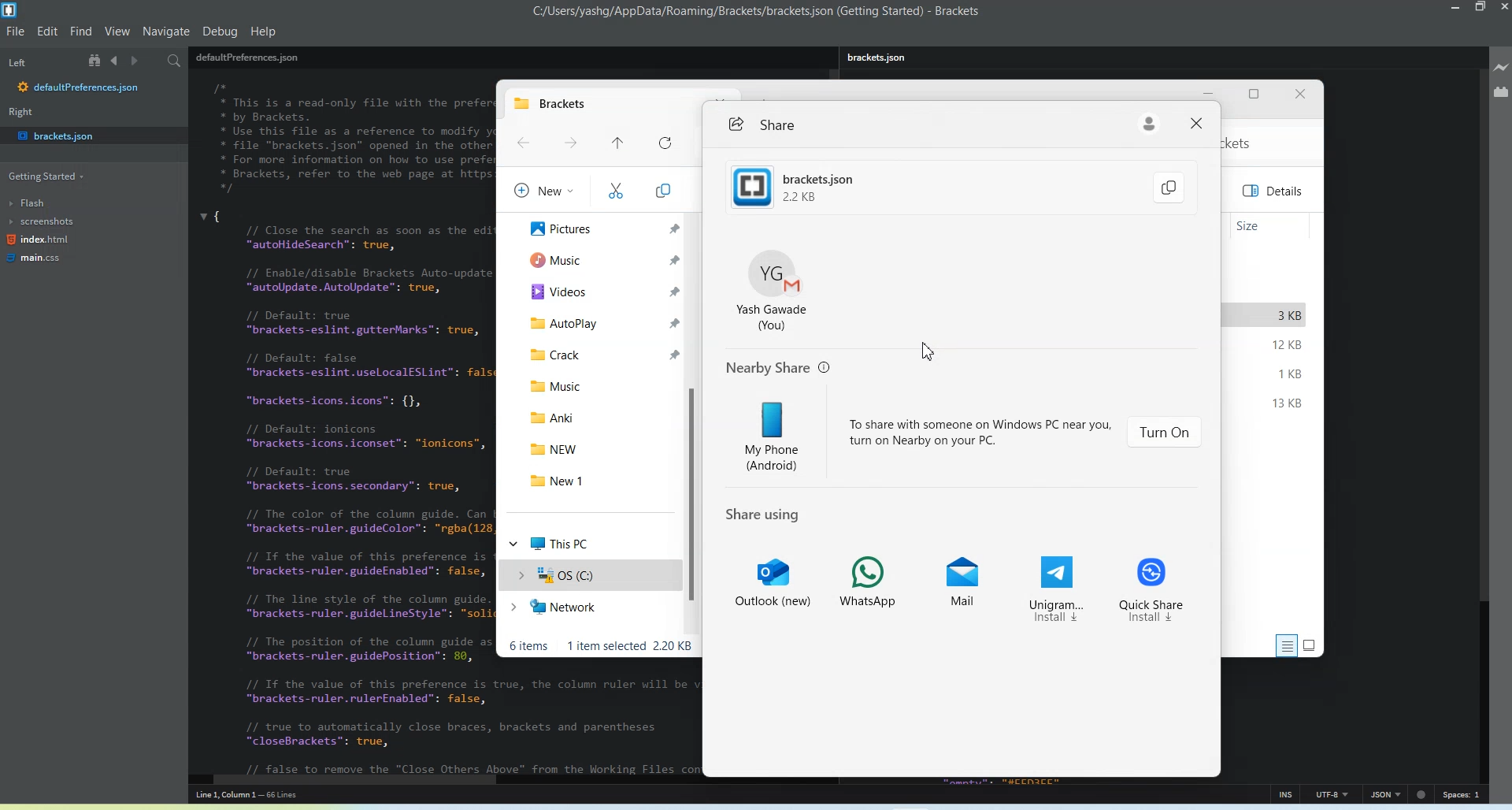  I want to click on Go Forward, so click(570, 144).